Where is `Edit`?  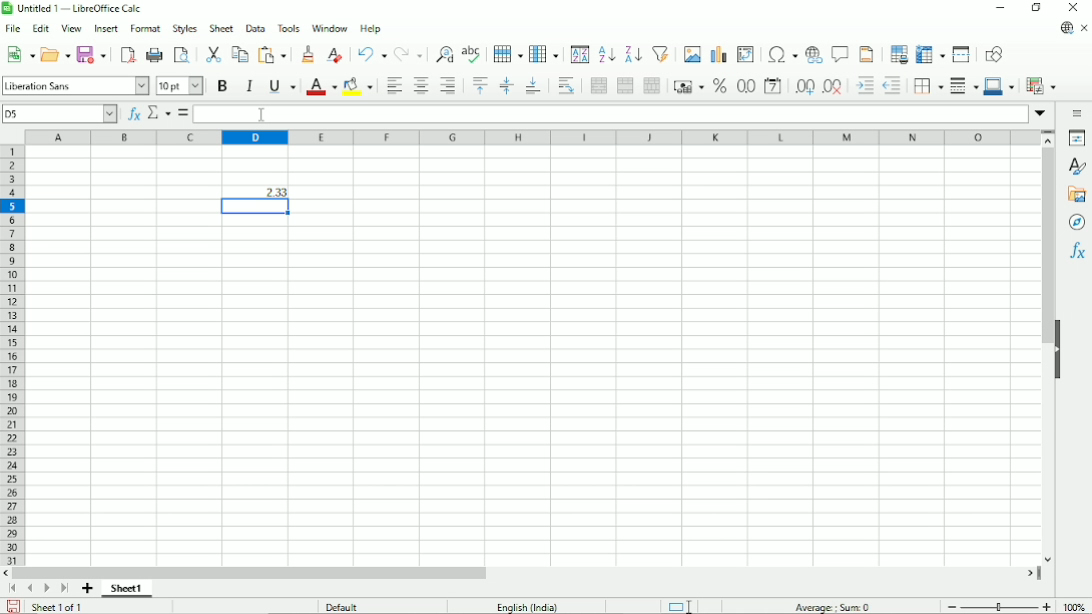
Edit is located at coordinates (40, 29).